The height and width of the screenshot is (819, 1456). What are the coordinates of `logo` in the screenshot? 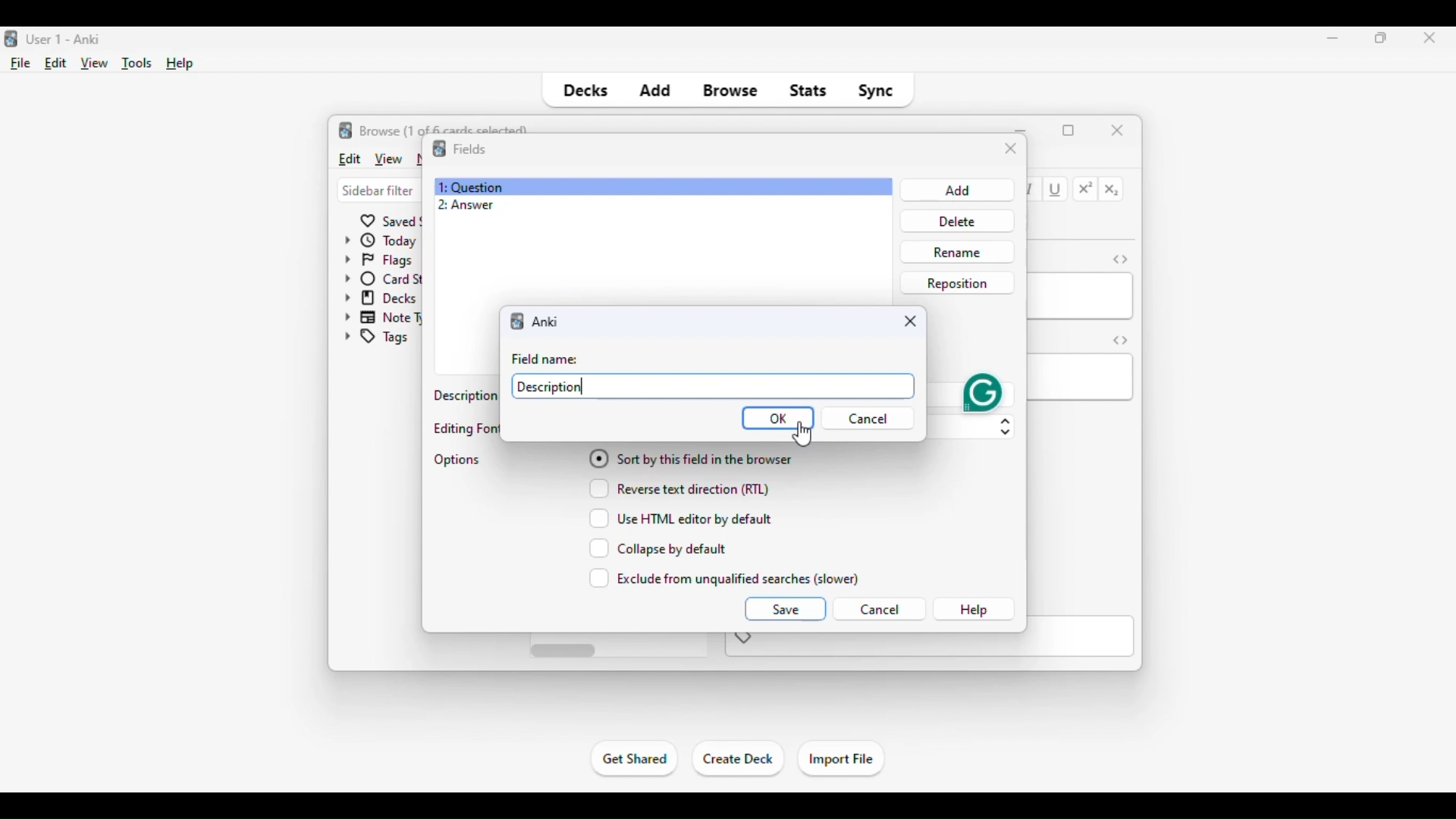 It's located at (9, 39).